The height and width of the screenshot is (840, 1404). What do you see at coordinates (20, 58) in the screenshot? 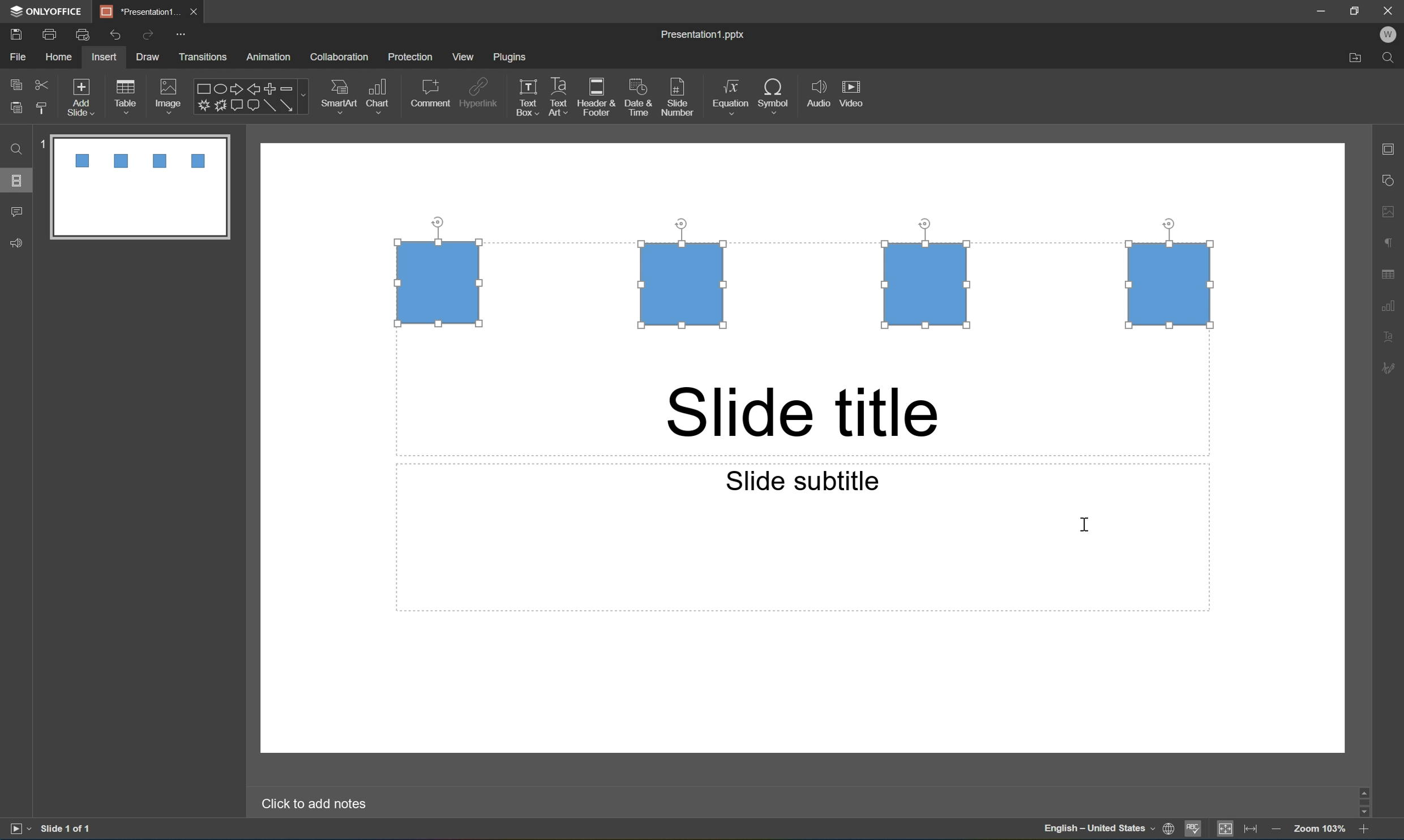
I see `File` at bounding box center [20, 58].